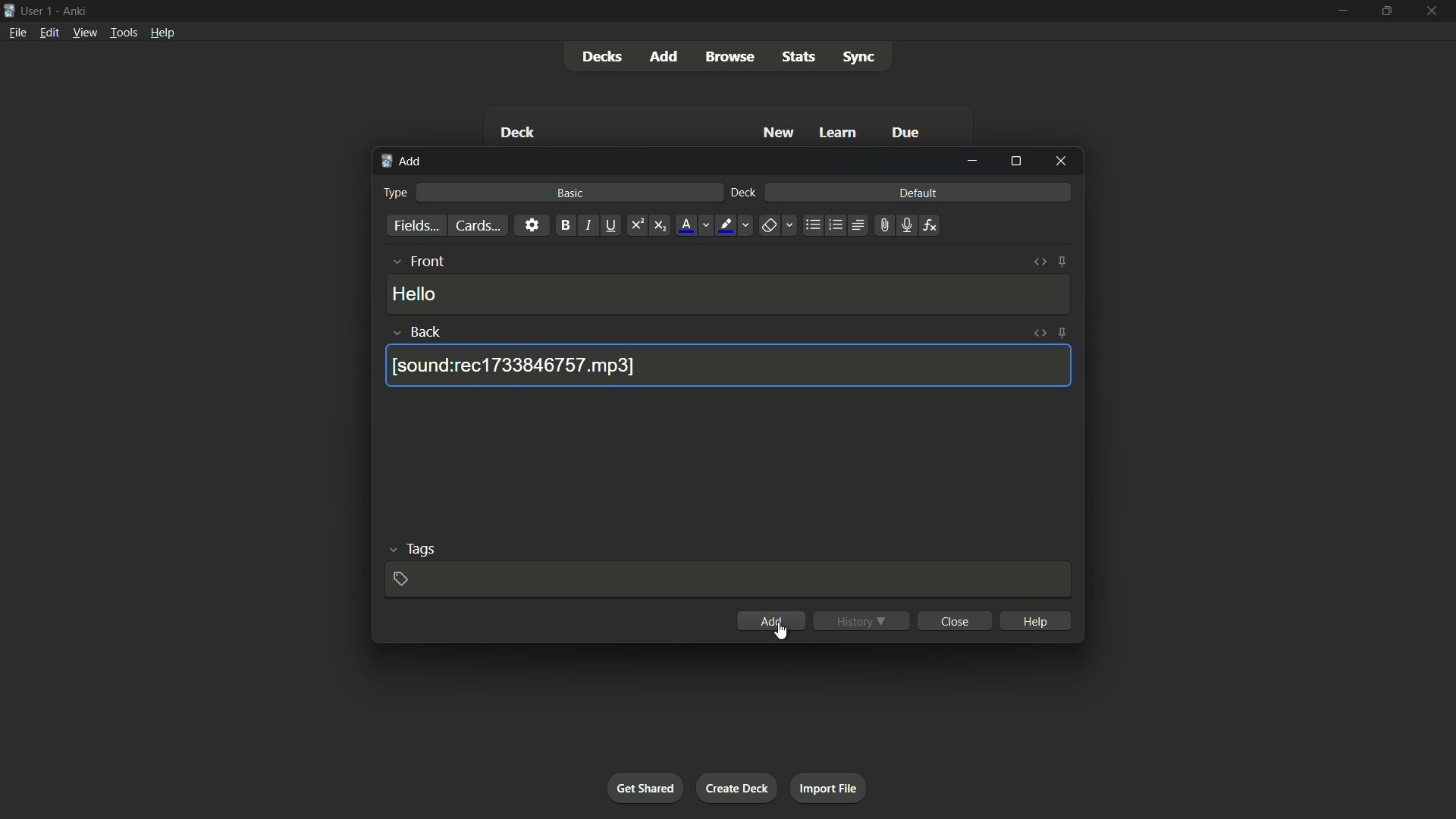 The image size is (1456, 819). Describe the element at coordinates (77, 11) in the screenshot. I see `app name` at that location.